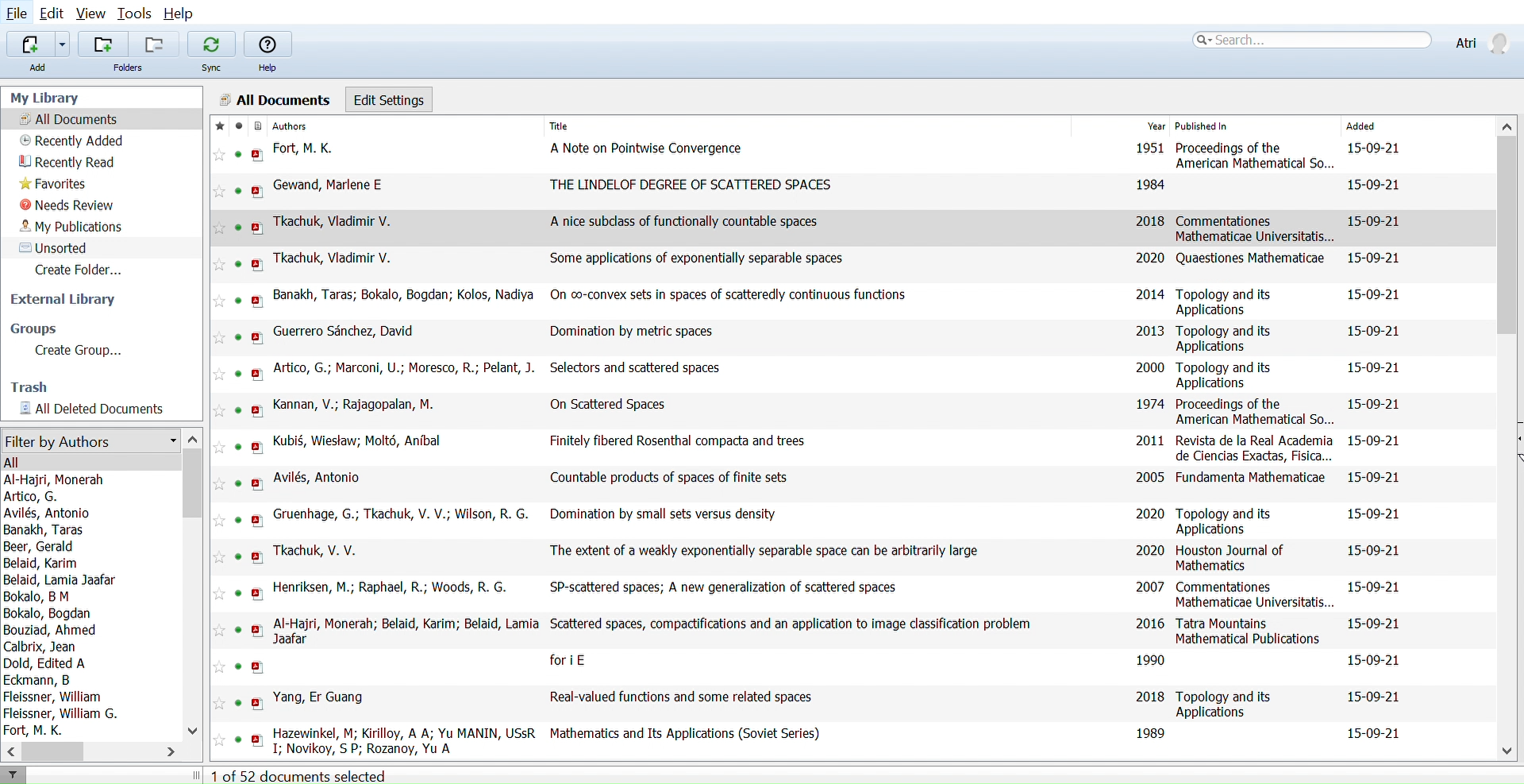 The height and width of the screenshot is (784, 1524). Describe the element at coordinates (1311, 39) in the screenshot. I see `Search` at that location.